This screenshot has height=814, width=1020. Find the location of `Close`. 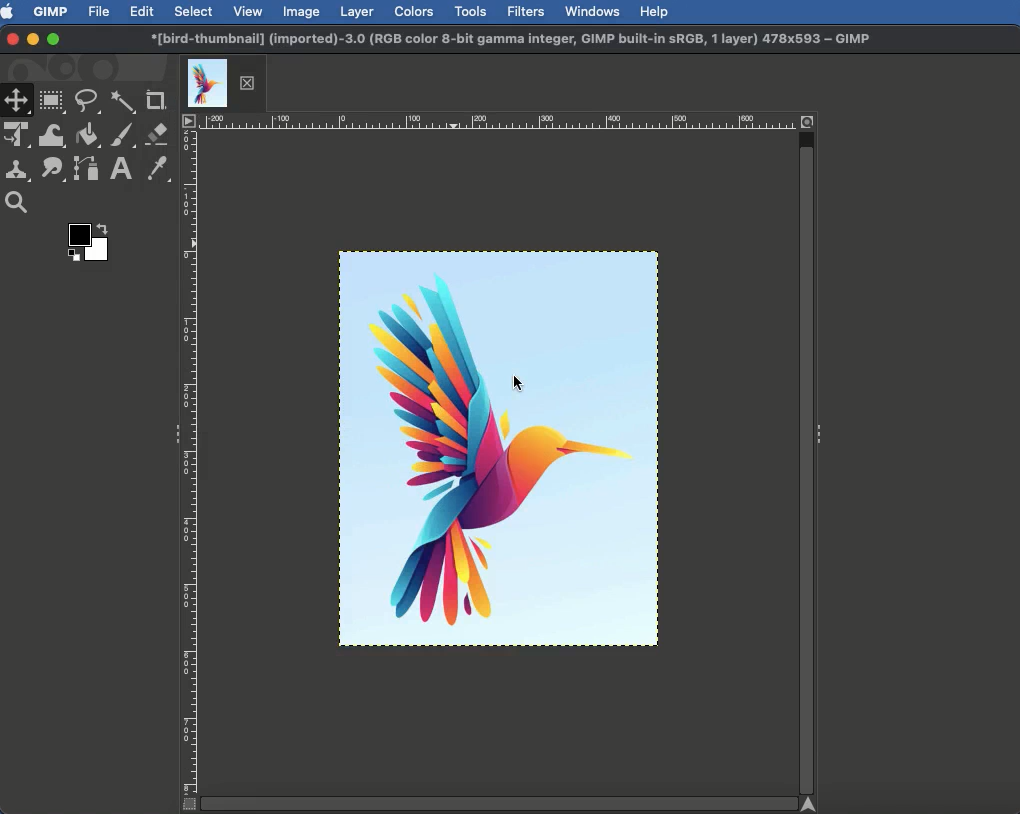

Close is located at coordinates (11, 40).